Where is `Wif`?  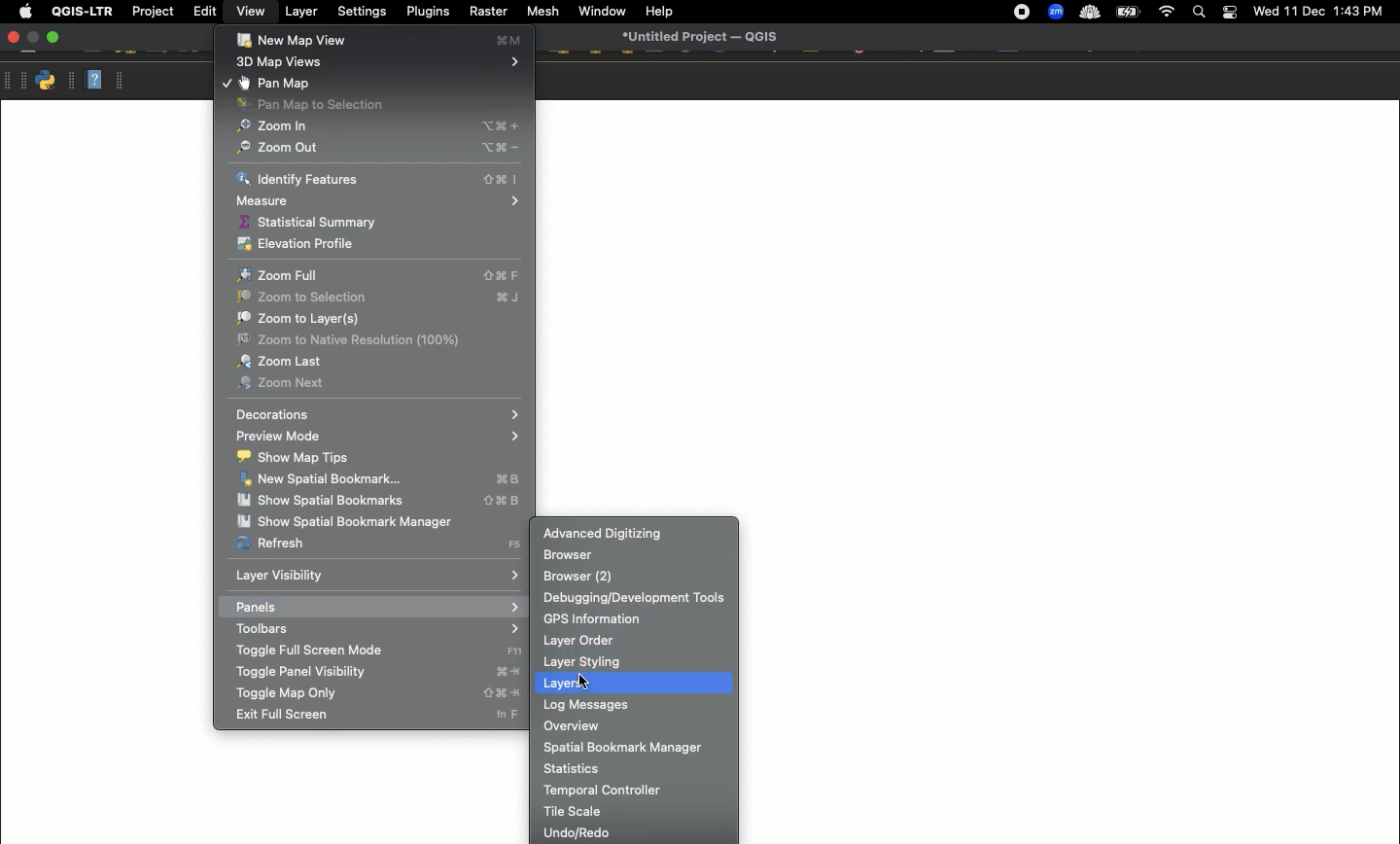 Wif is located at coordinates (1167, 13).